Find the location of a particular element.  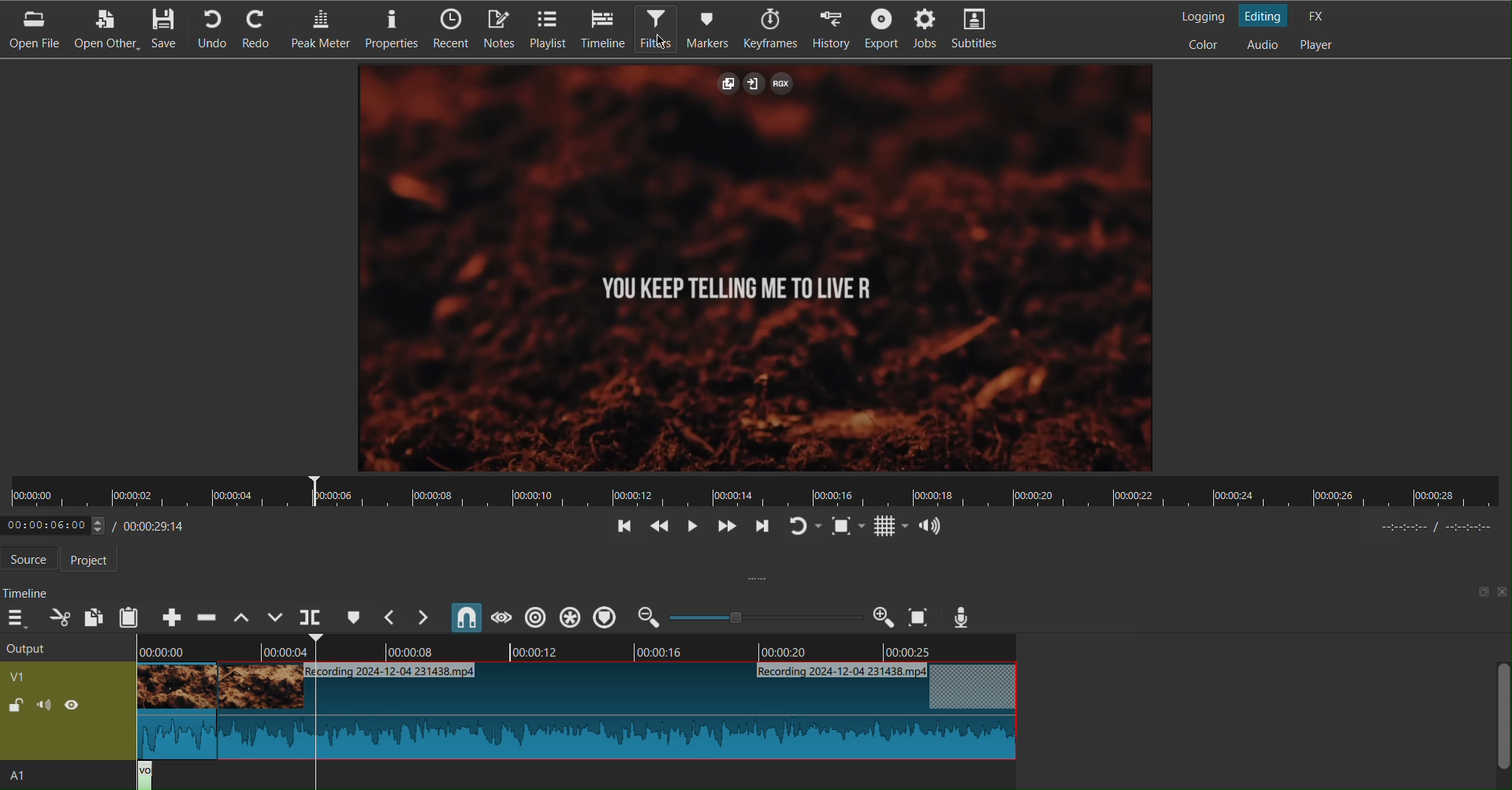

Audio is located at coordinates (1261, 45).